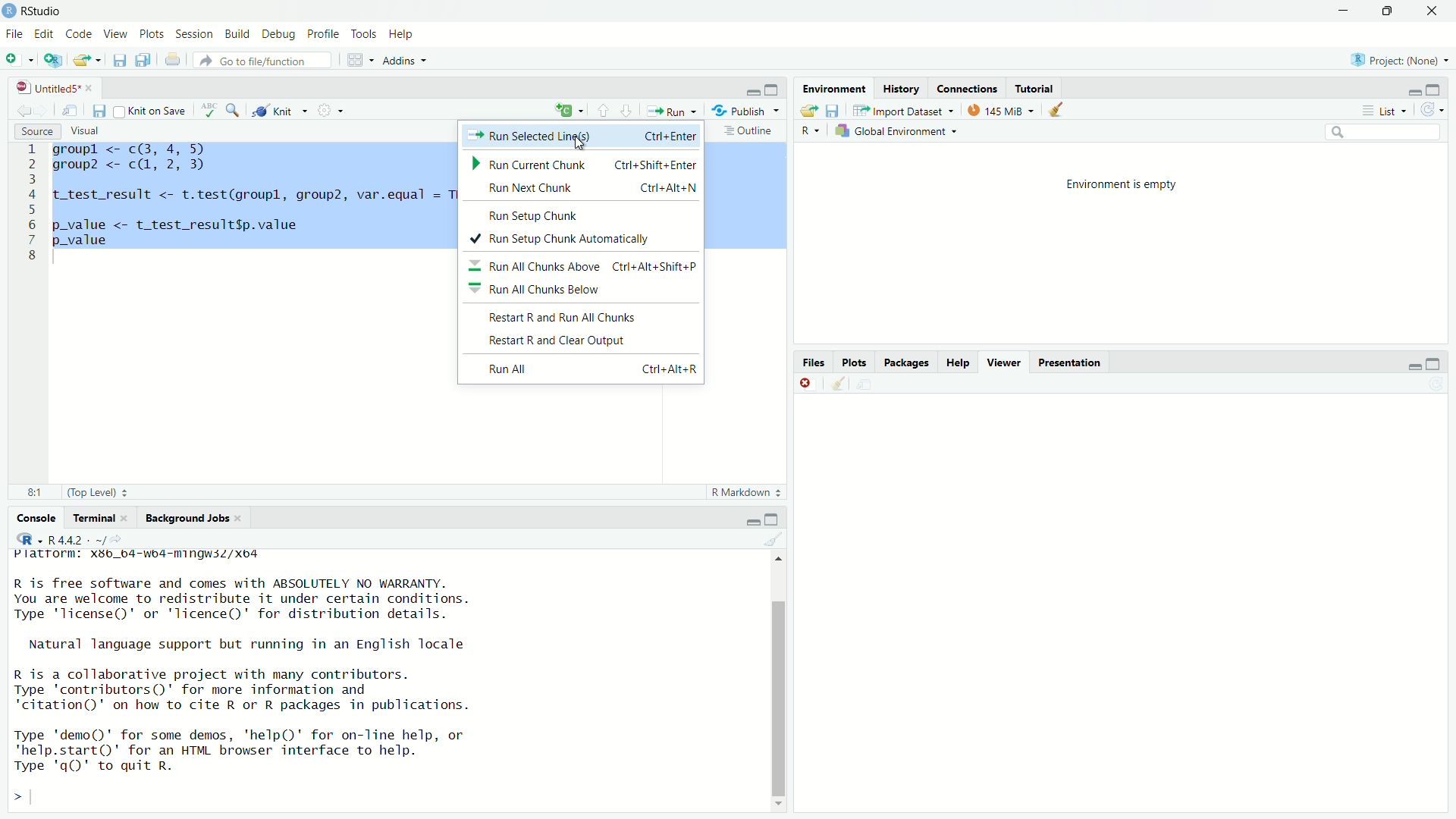 This screenshot has height=819, width=1456. Describe the element at coordinates (152, 32) in the screenshot. I see `Plots` at that location.